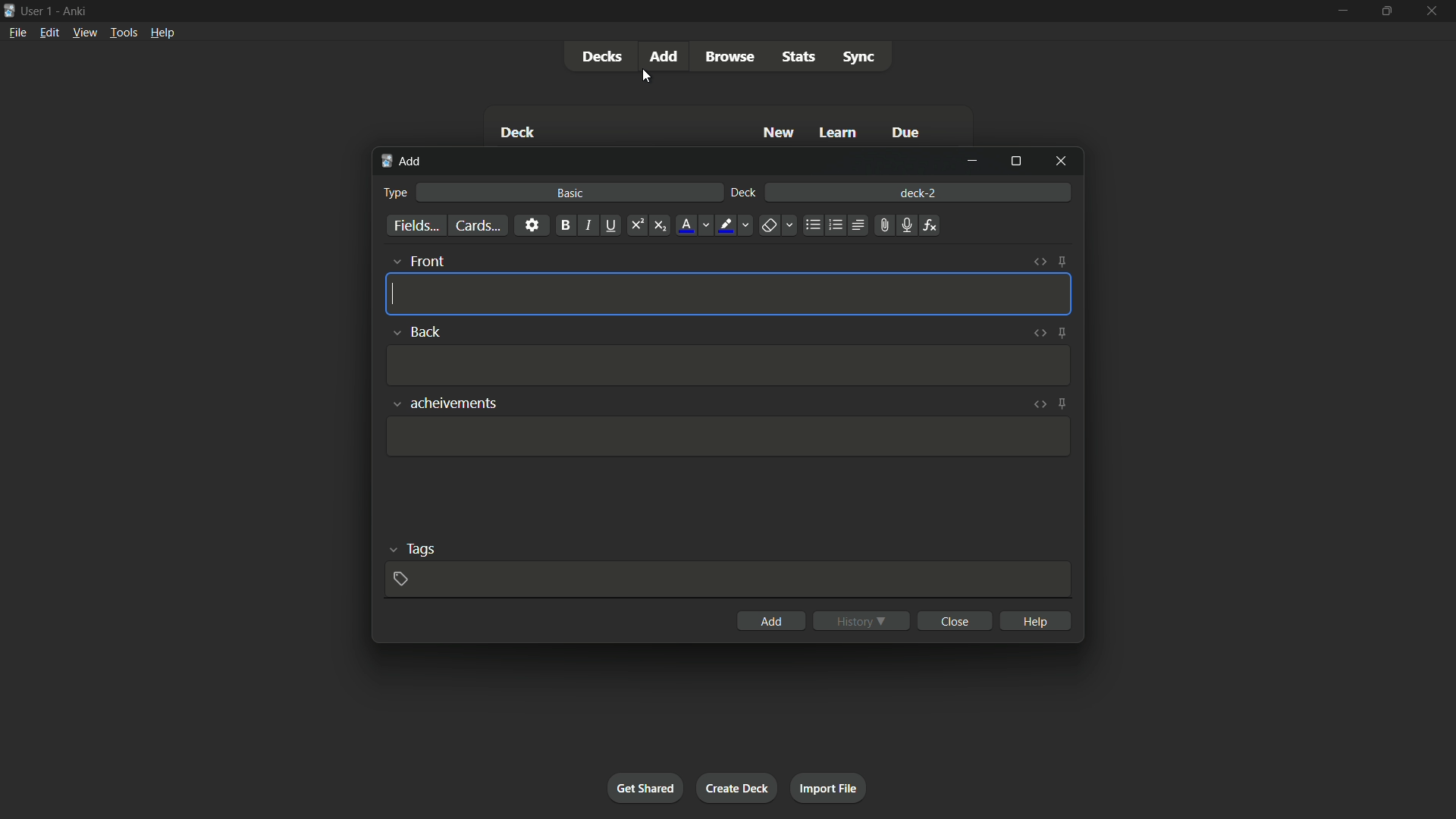 The image size is (1456, 819). Describe the element at coordinates (836, 226) in the screenshot. I see `ordered list` at that location.